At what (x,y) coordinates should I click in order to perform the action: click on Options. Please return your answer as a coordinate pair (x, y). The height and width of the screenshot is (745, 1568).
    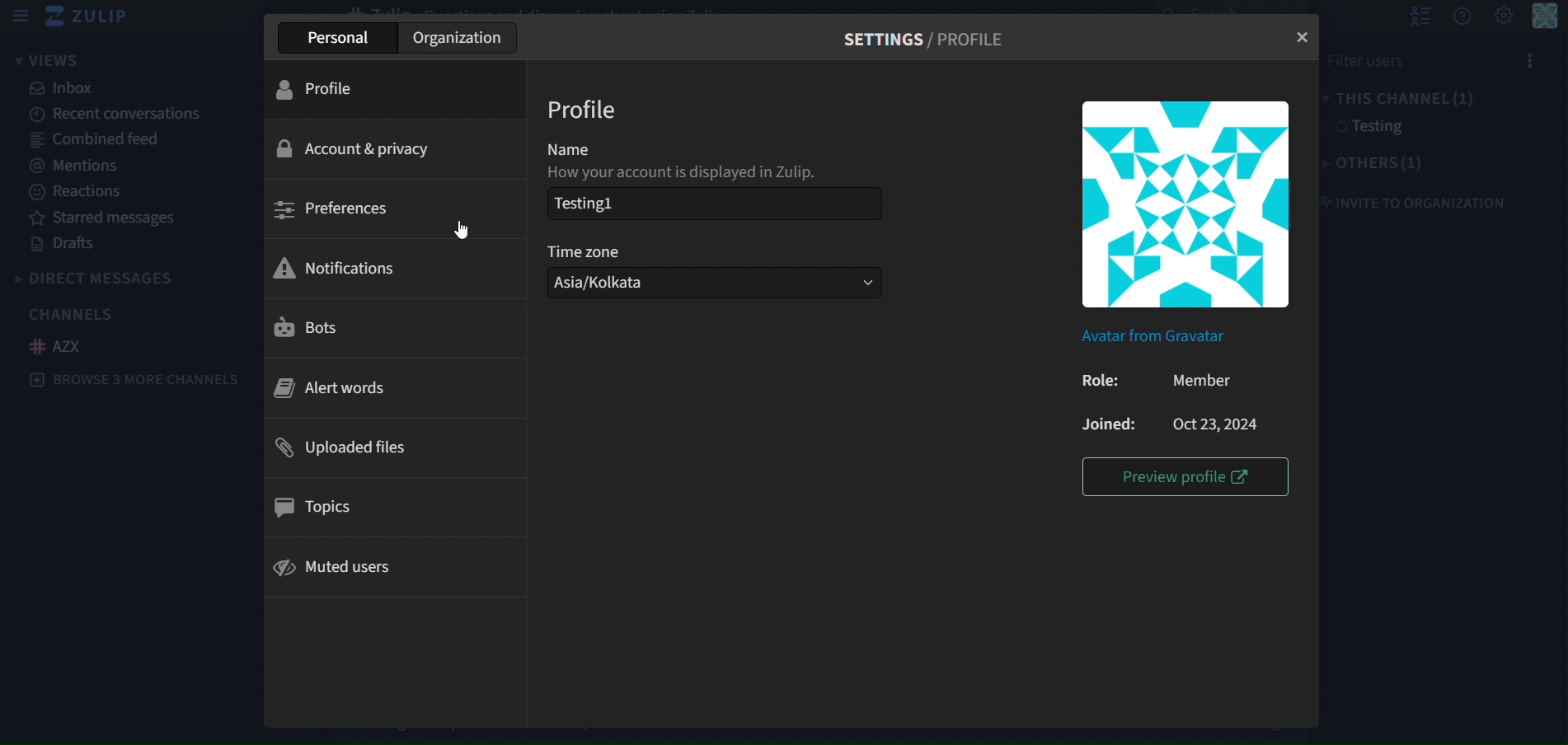
    Looking at the image, I should click on (1530, 61).